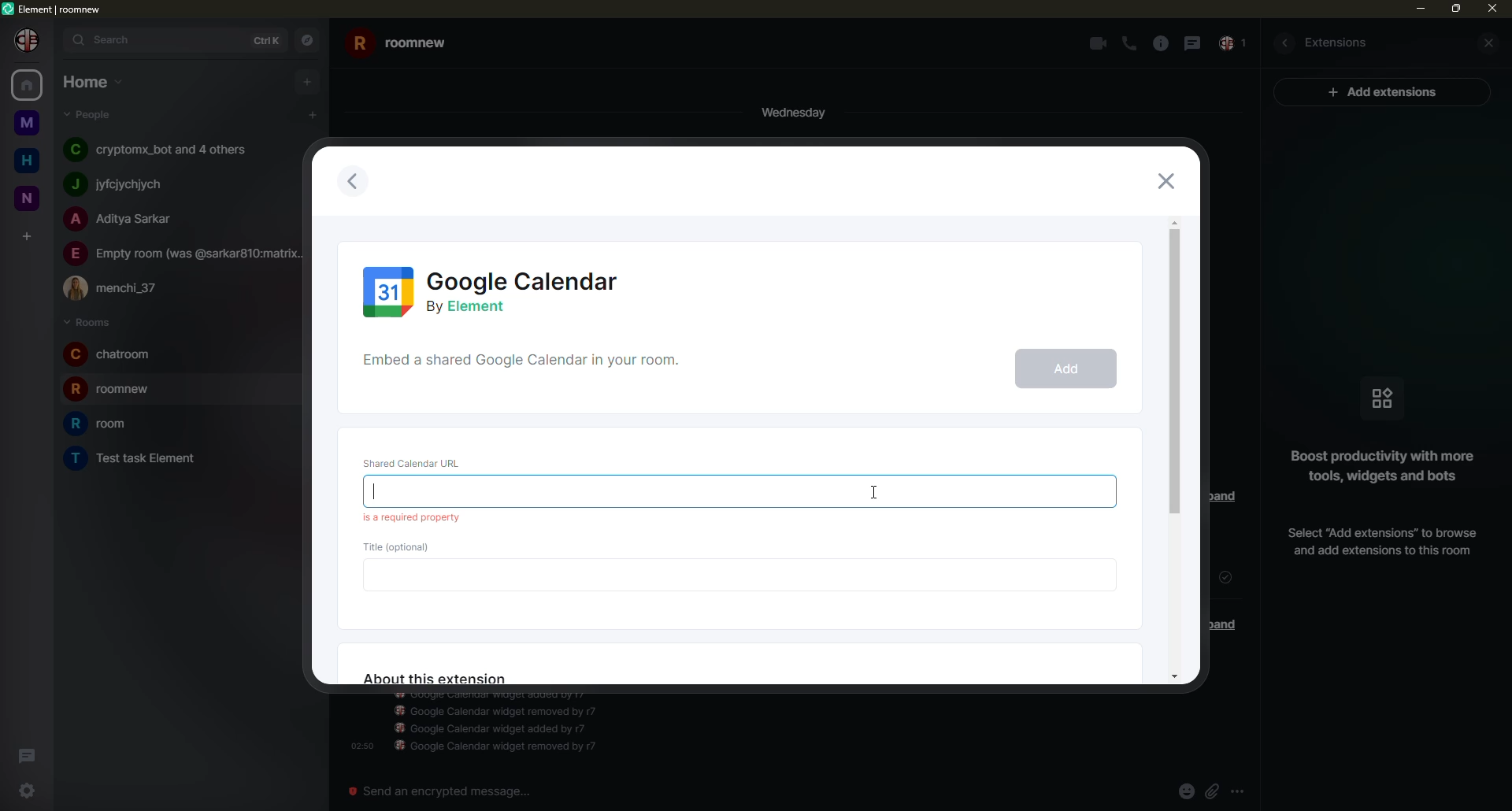 The image size is (1512, 811). What do you see at coordinates (417, 461) in the screenshot?
I see `url` at bounding box center [417, 461].